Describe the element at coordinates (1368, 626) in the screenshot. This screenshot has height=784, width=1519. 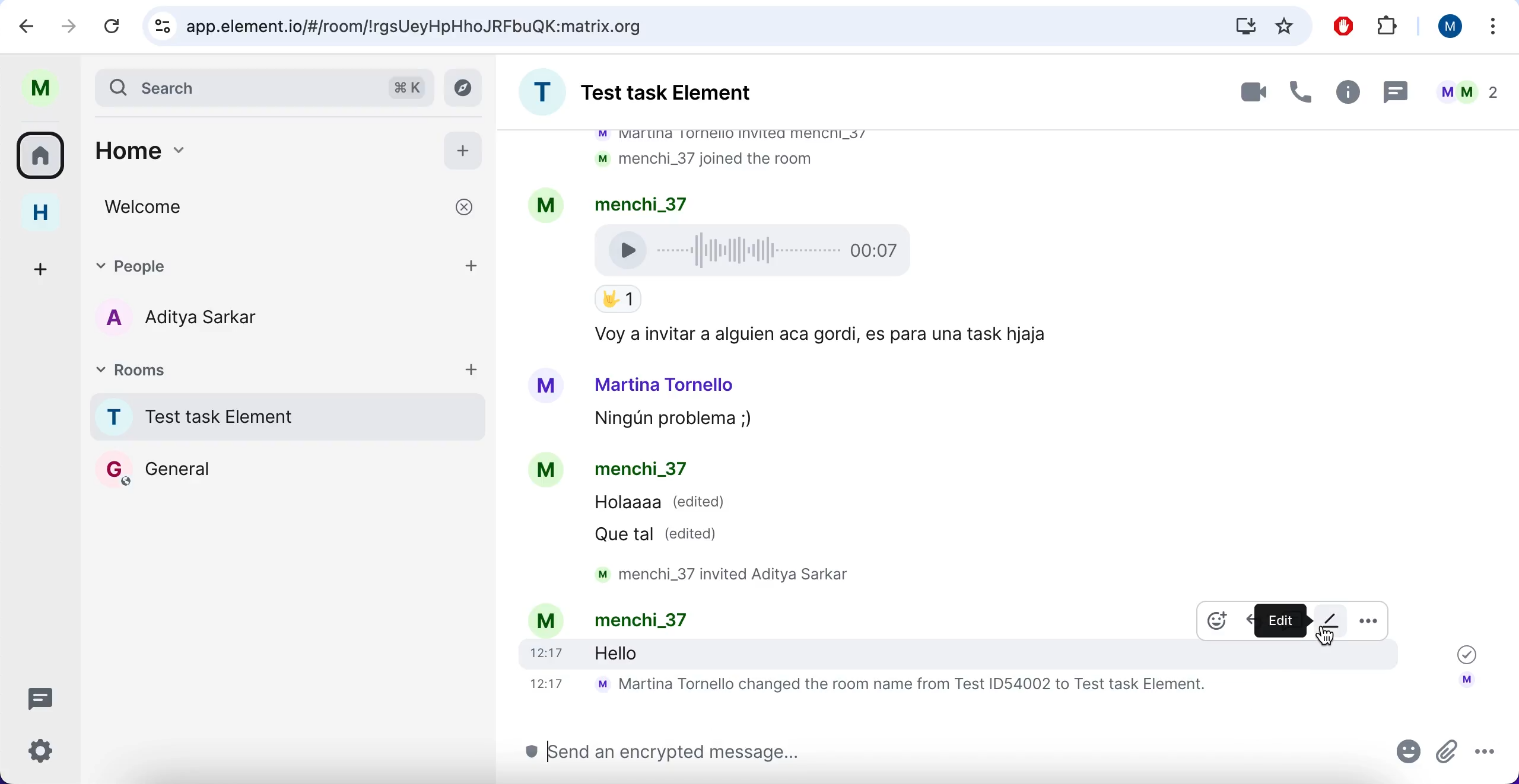
I see `more options` at that location.